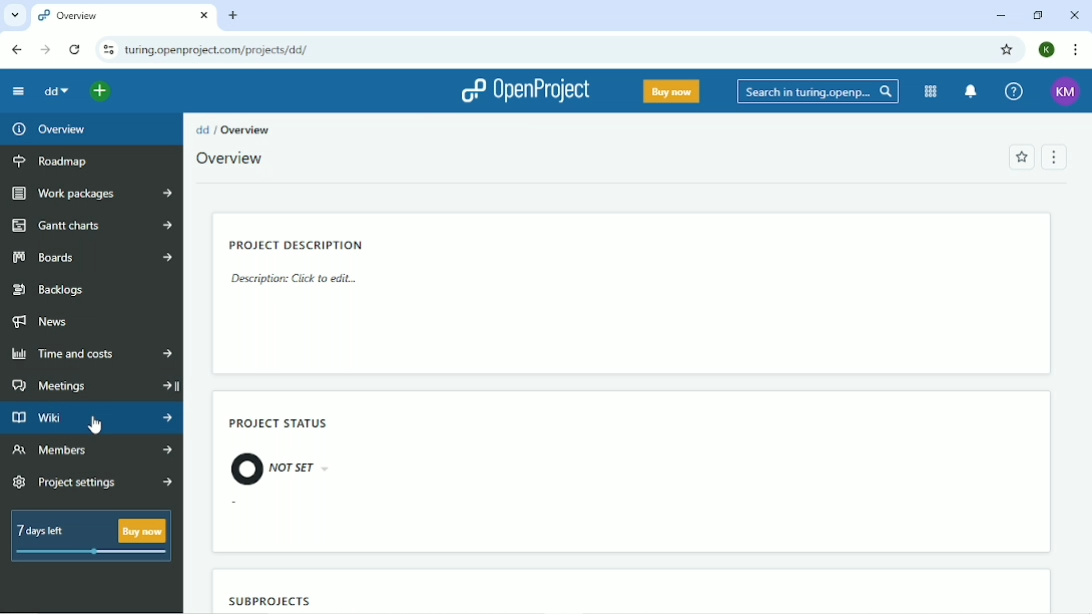 This screenshot has width=1092, height=614. What do you see at coordinates (92, 386) in the screenshot?
I see `Meetings` at bounding box center [92, 386].